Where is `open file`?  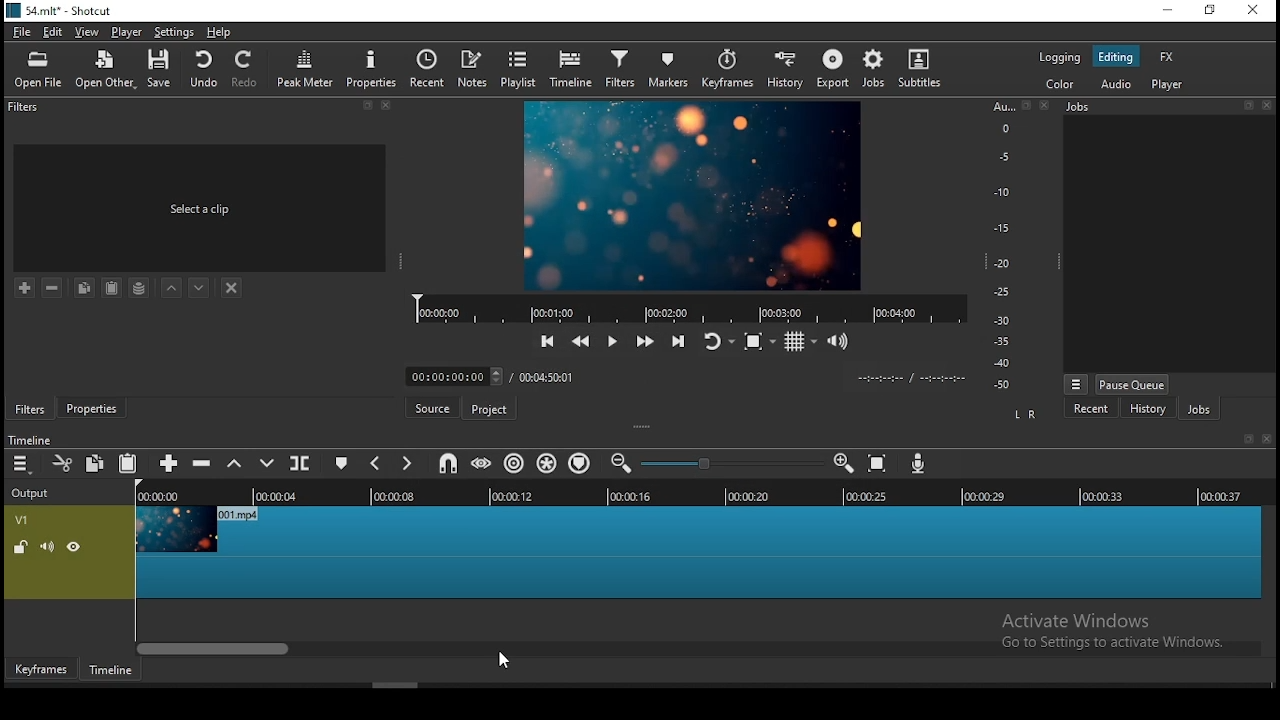 open file is located at coordinates (38, 71).